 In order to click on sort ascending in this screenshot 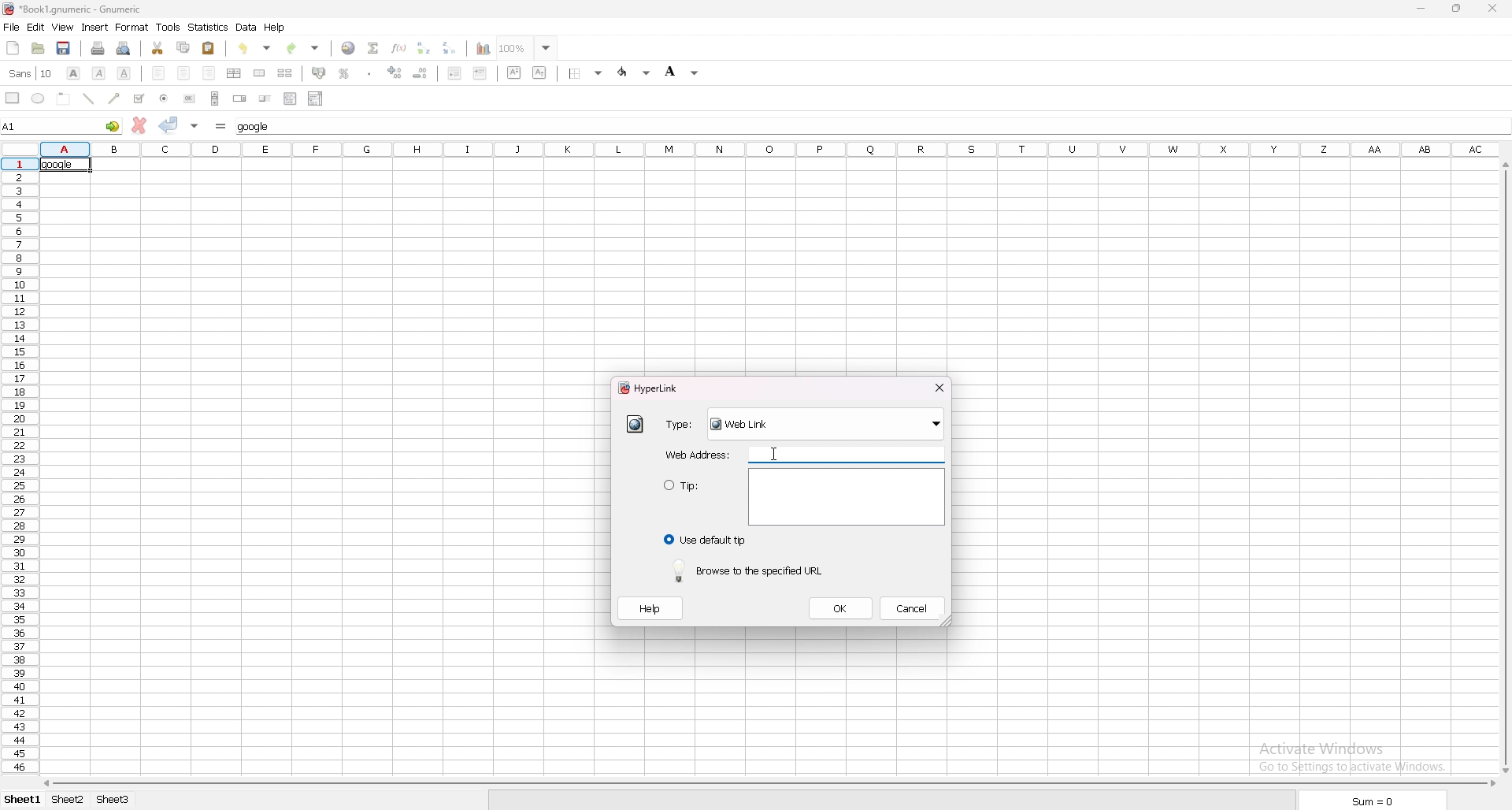, I will do `click(424, 47)`.